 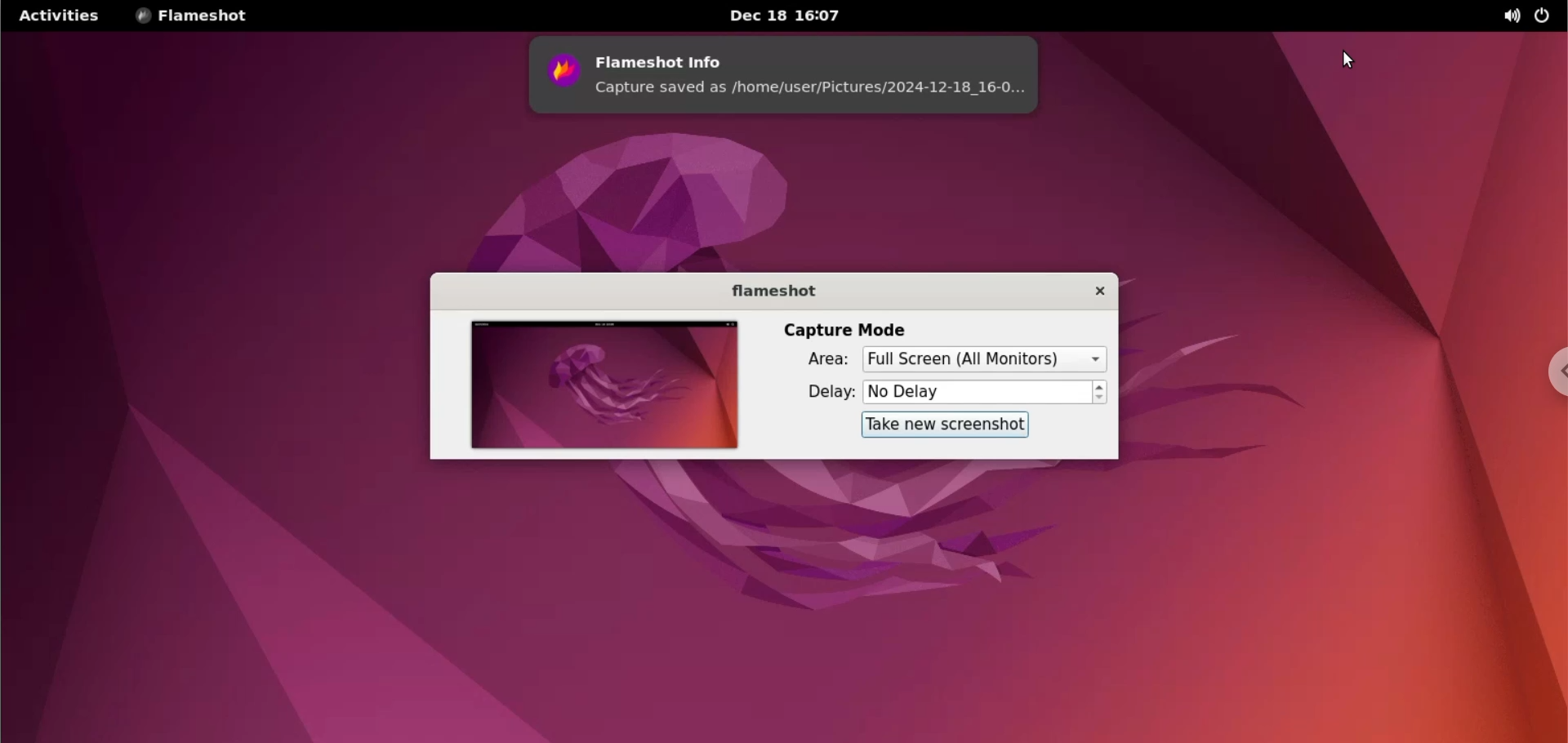 I want to click on Flameshot options, so click(x=197, y=16).